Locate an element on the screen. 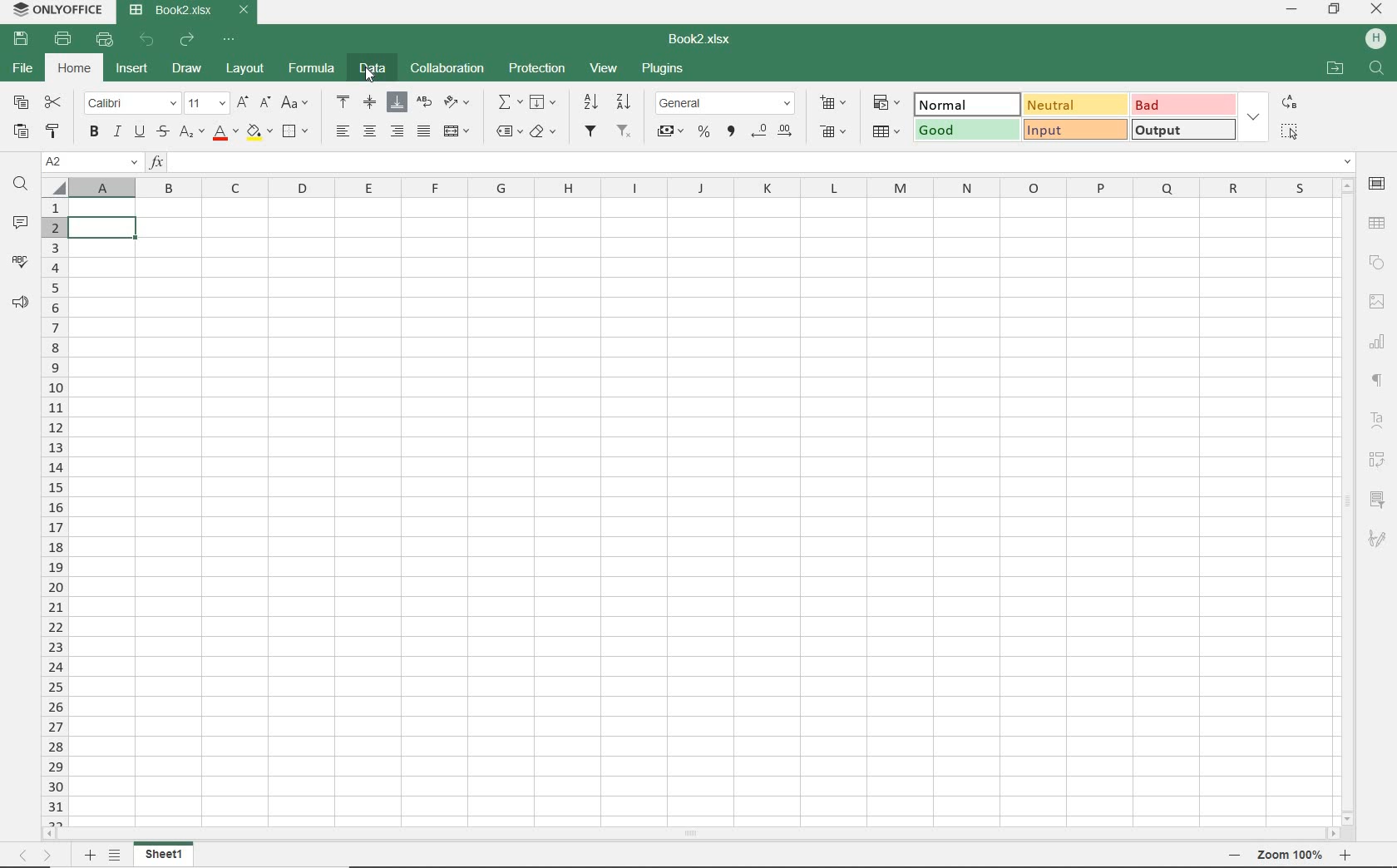  PASTE is located at coordinates (24, 131).